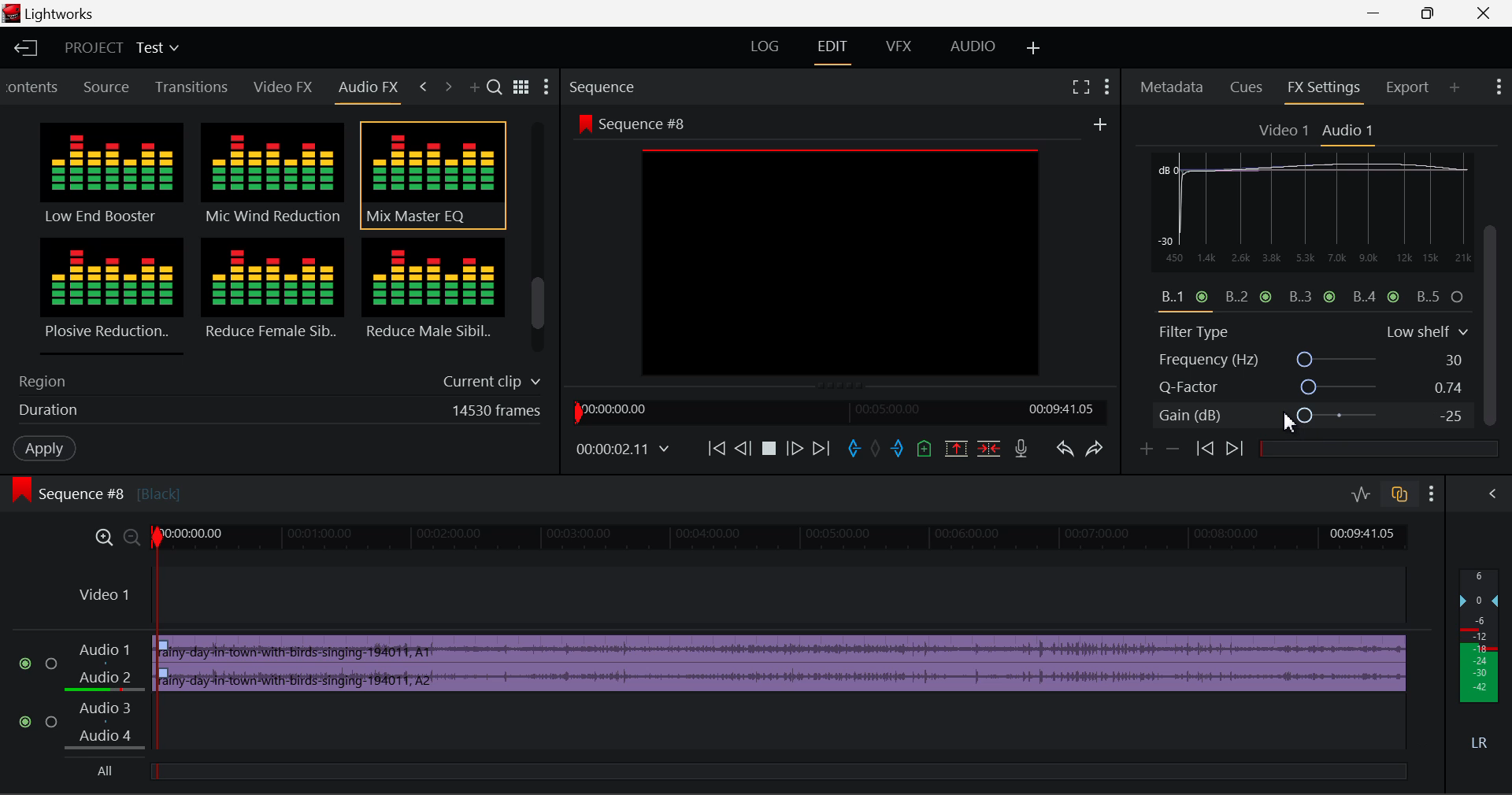 This screenshot has height=795, width=1512. I want to click on Undo, so click(1067, 453).